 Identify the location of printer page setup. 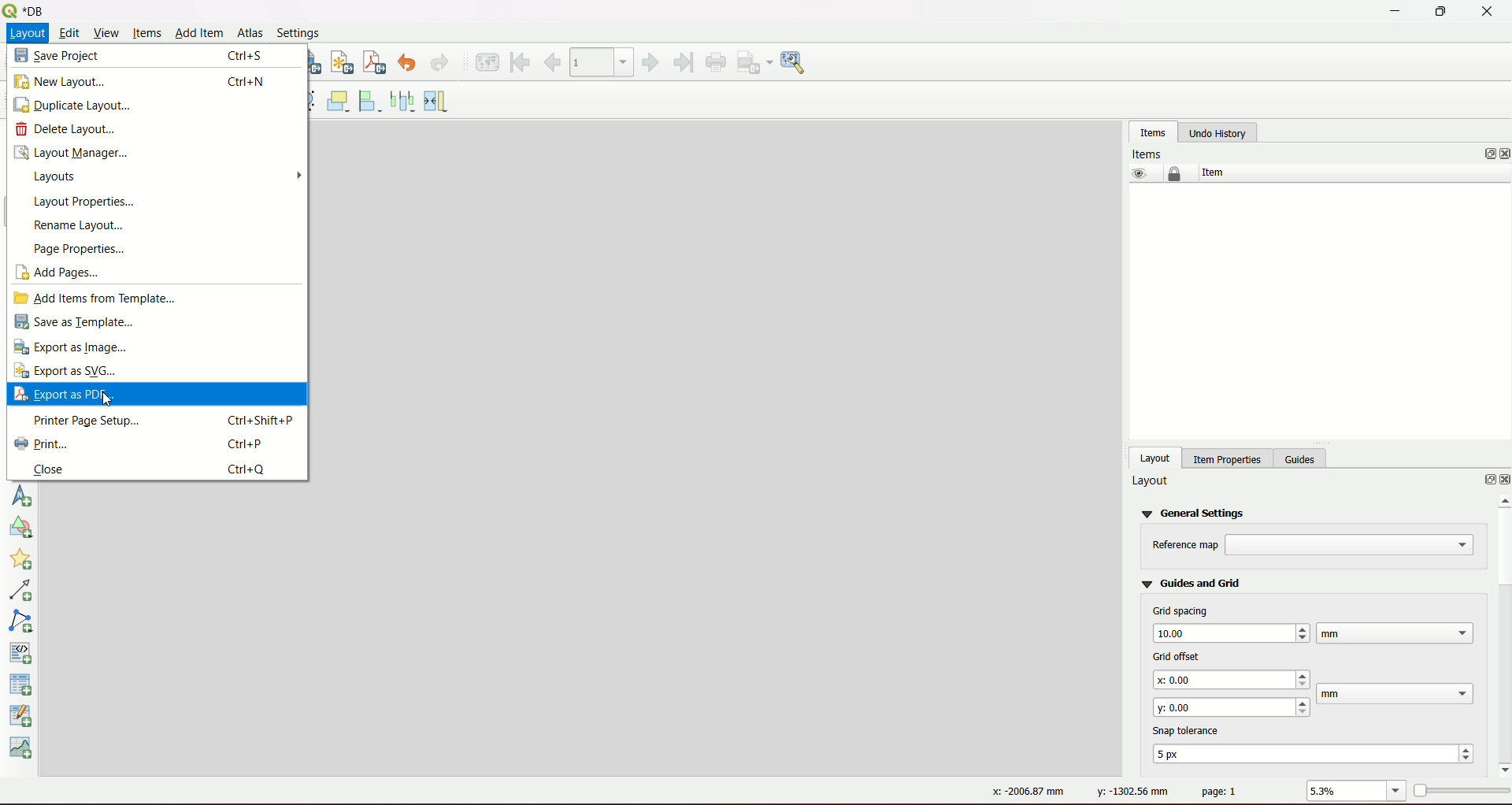
(87, 421).